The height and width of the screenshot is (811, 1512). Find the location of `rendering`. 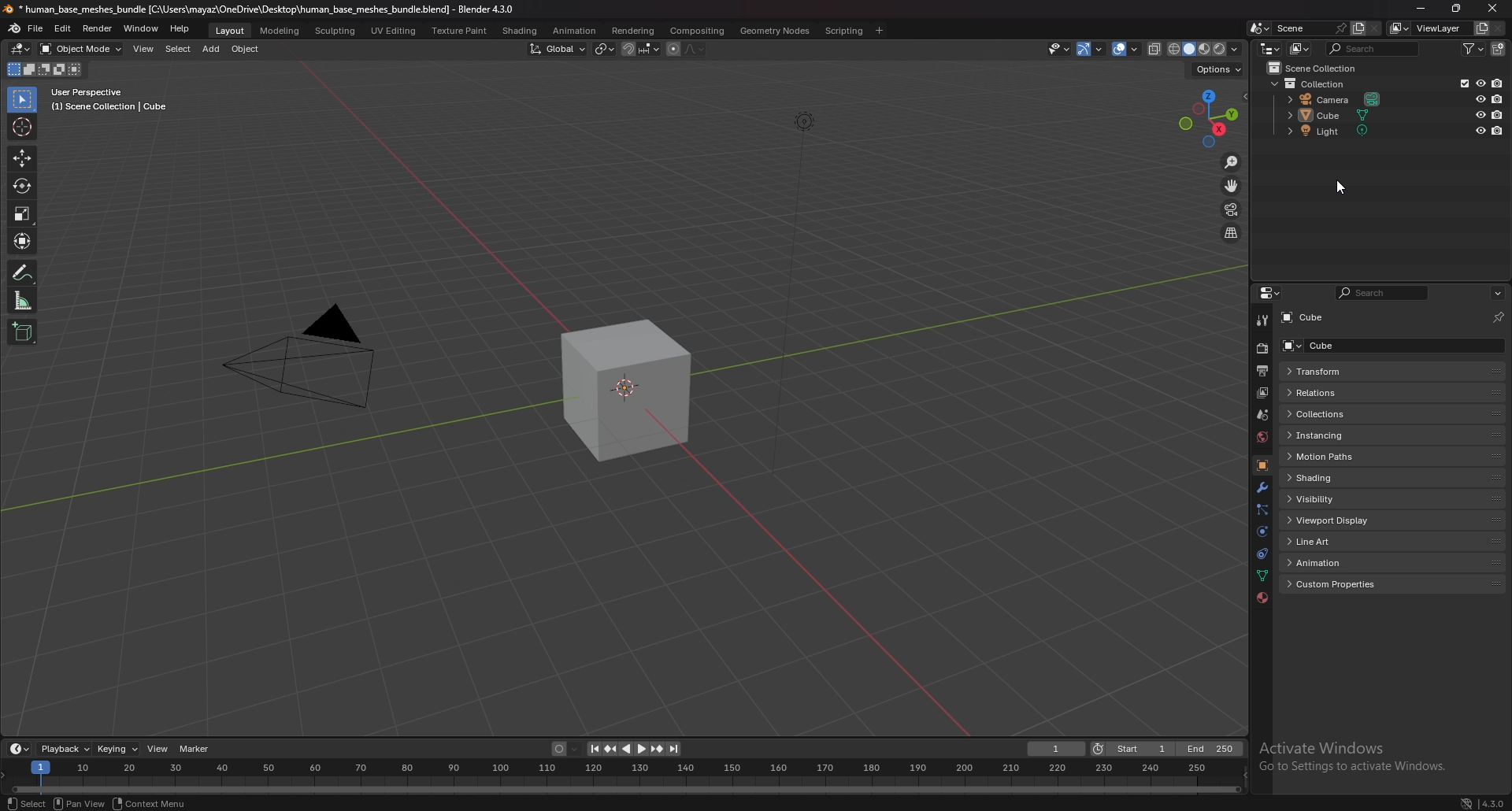

rendering is located at coordinates (633, 31).